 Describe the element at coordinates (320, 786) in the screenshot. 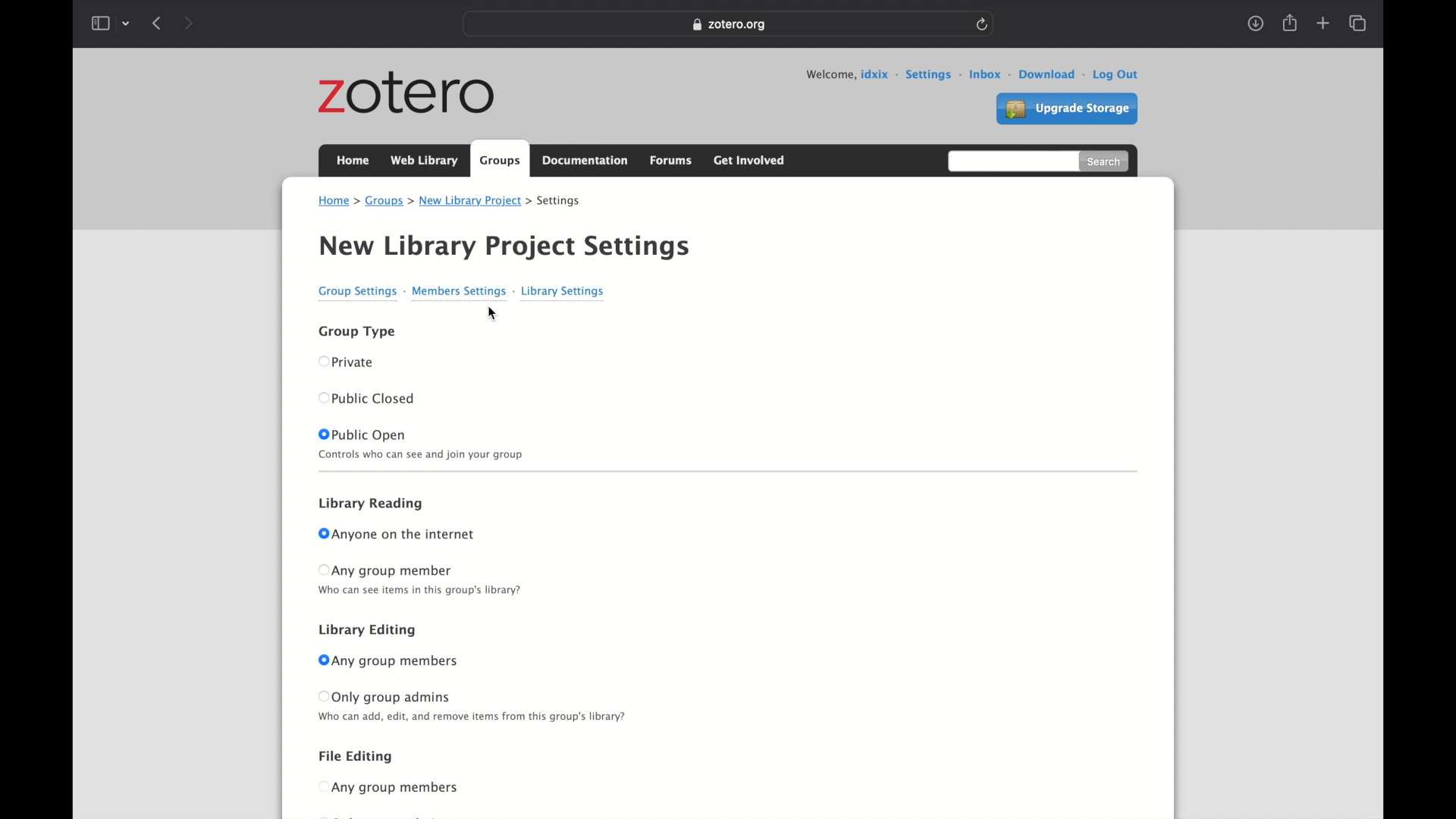

I see `button` at that location.